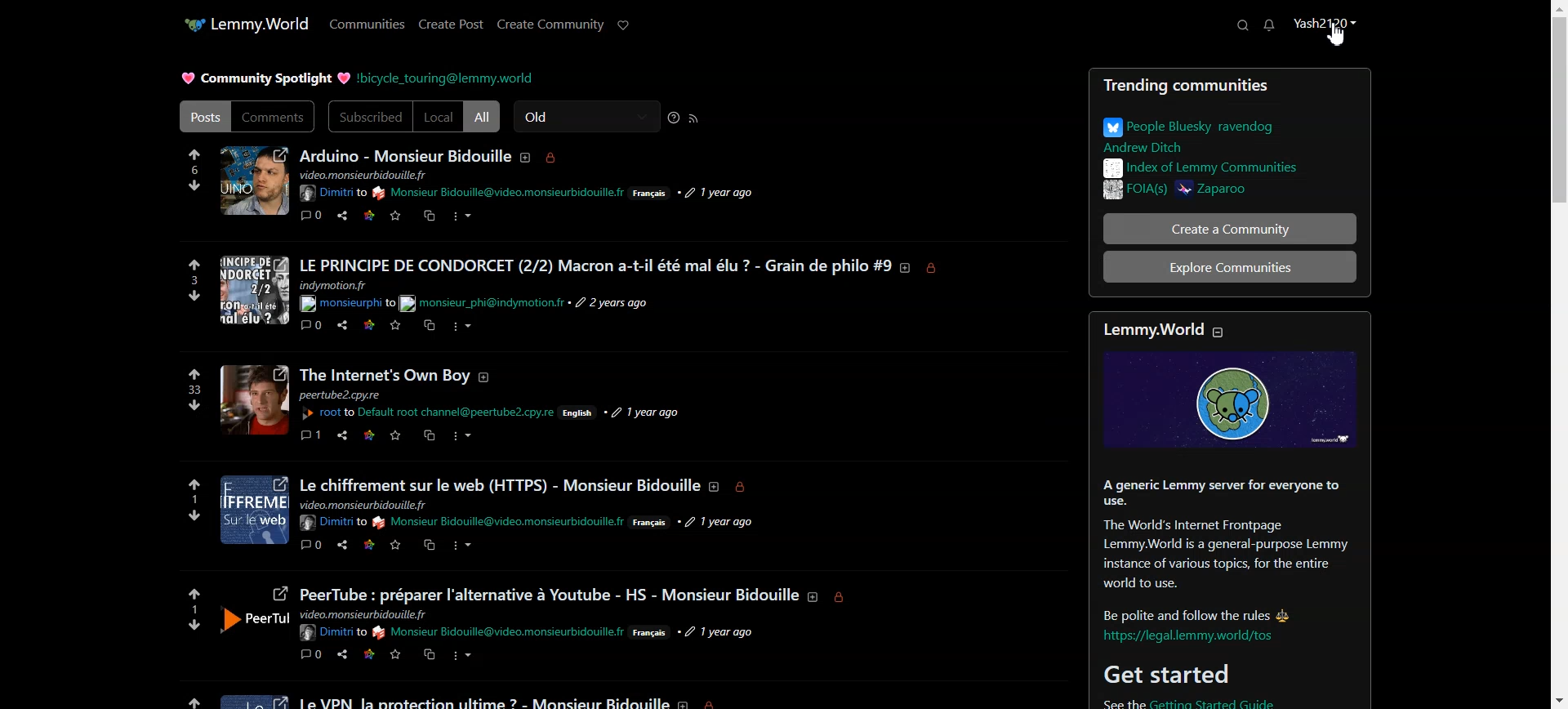  Describe the element at coordinates (203, 117) in the screenshot. I see `Posts` at that location.